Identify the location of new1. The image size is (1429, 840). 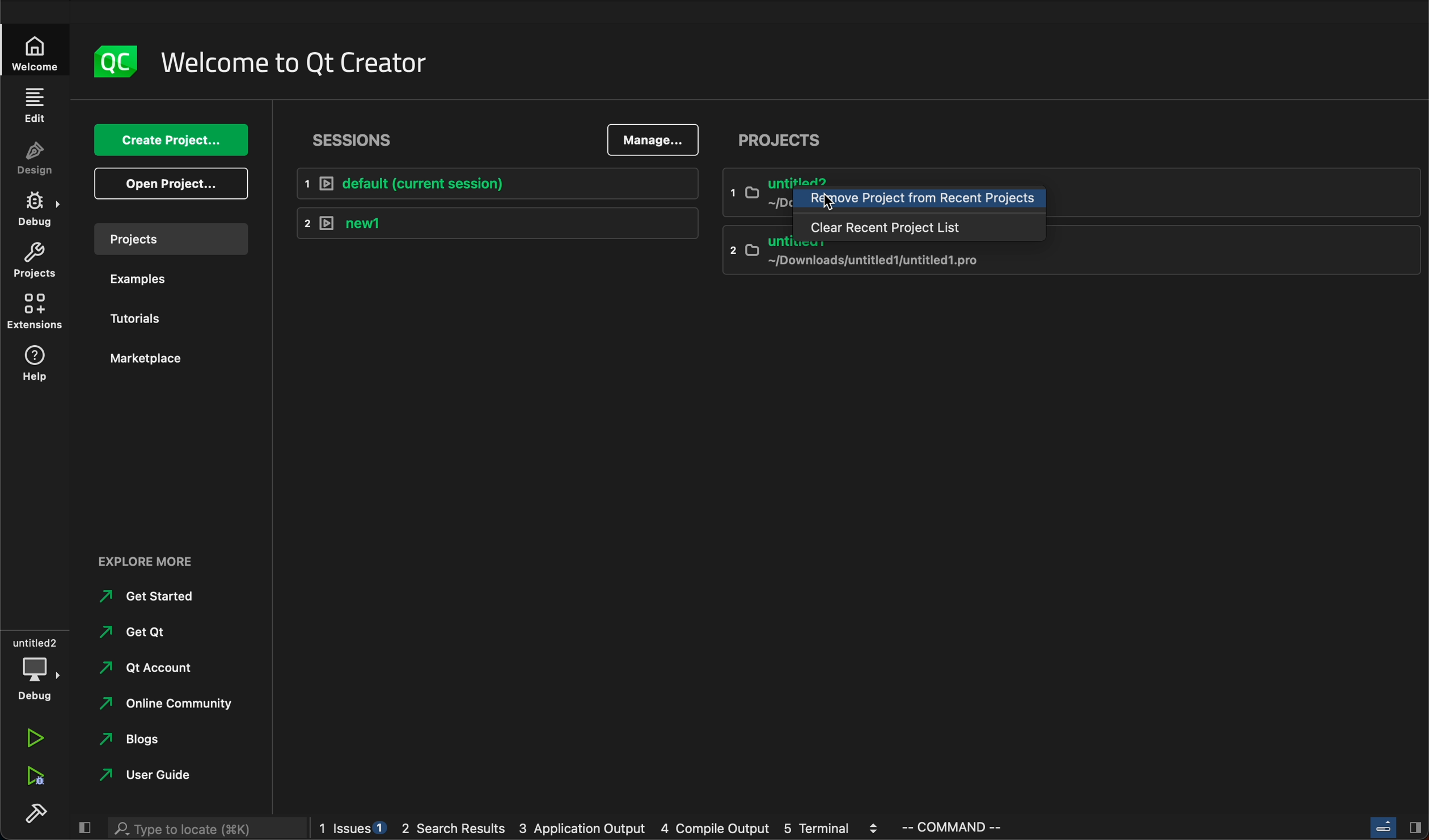
(497, 221).